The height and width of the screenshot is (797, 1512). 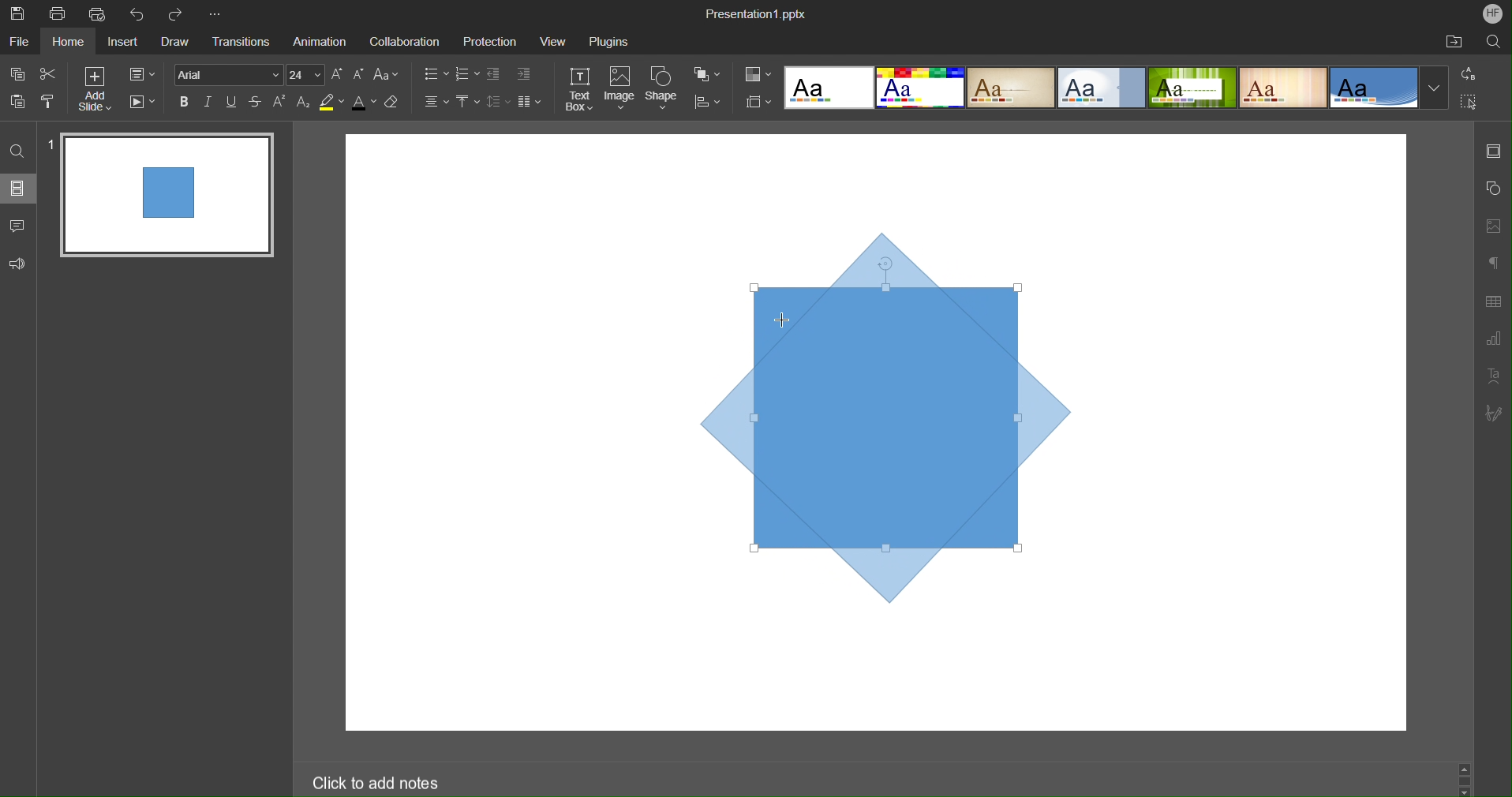 What do you see at coordinates (143, 103) in the screenshot?
I see `Playback` at bounding box center [143, 103].